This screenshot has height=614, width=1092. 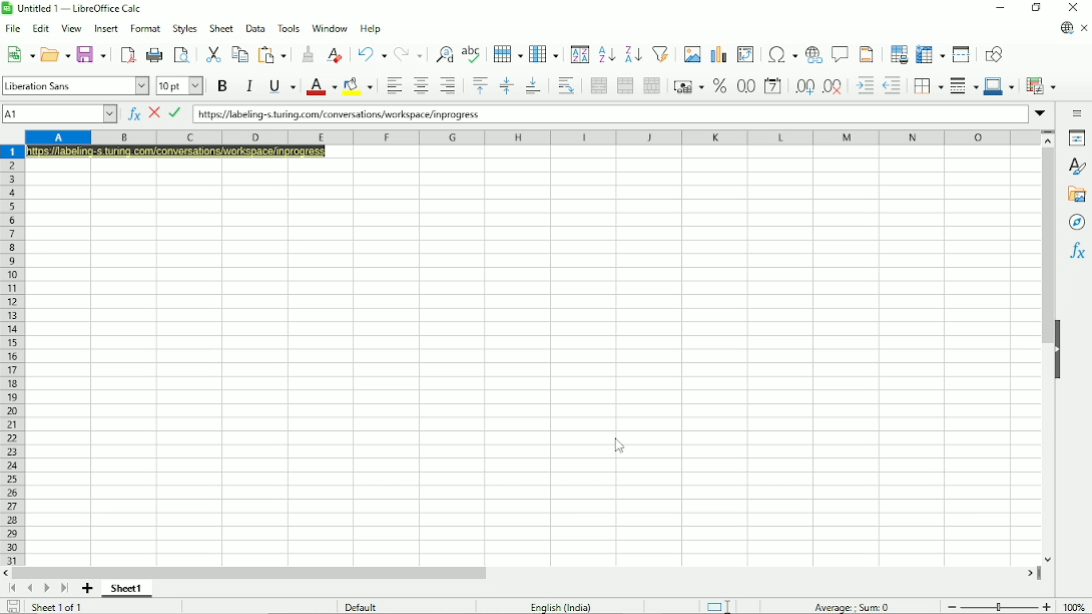 I want to click on Sort ascending, so click(x=606, y=54).